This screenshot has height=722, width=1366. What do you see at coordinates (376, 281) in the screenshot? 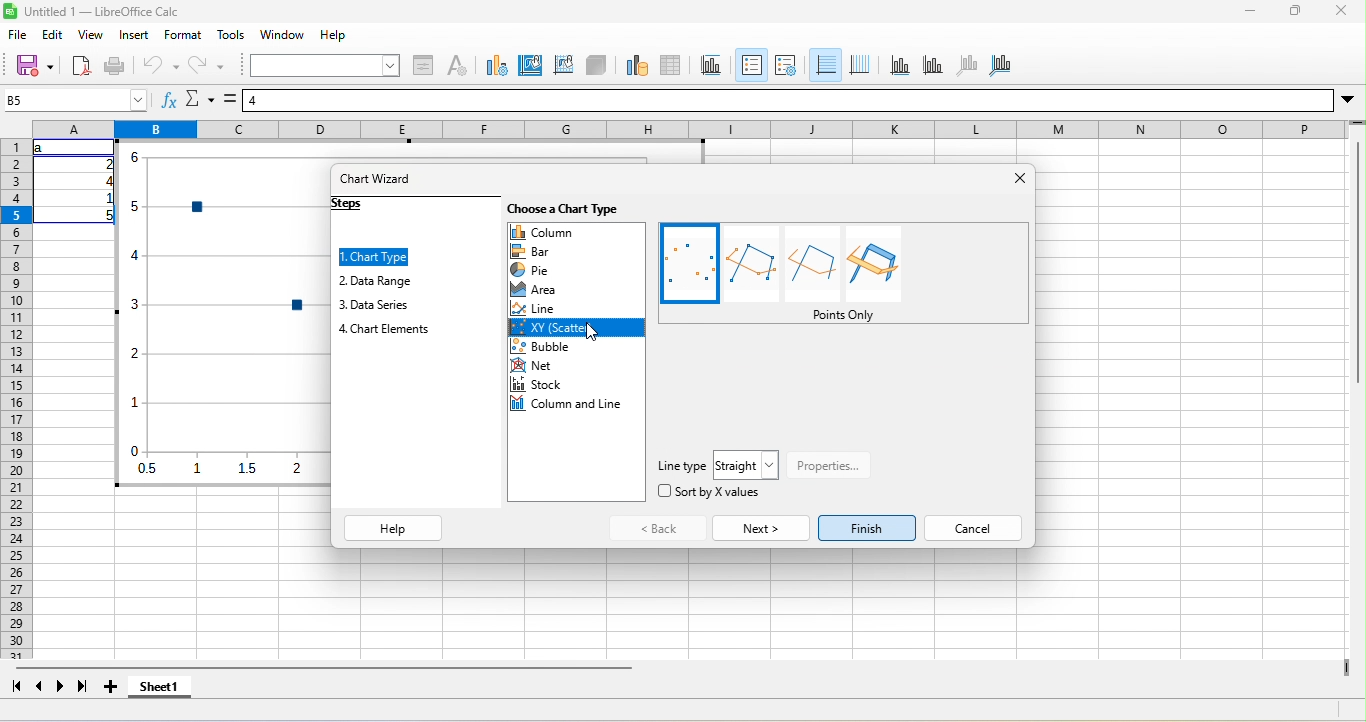
I see `data range` at bounding box center [376, 281].